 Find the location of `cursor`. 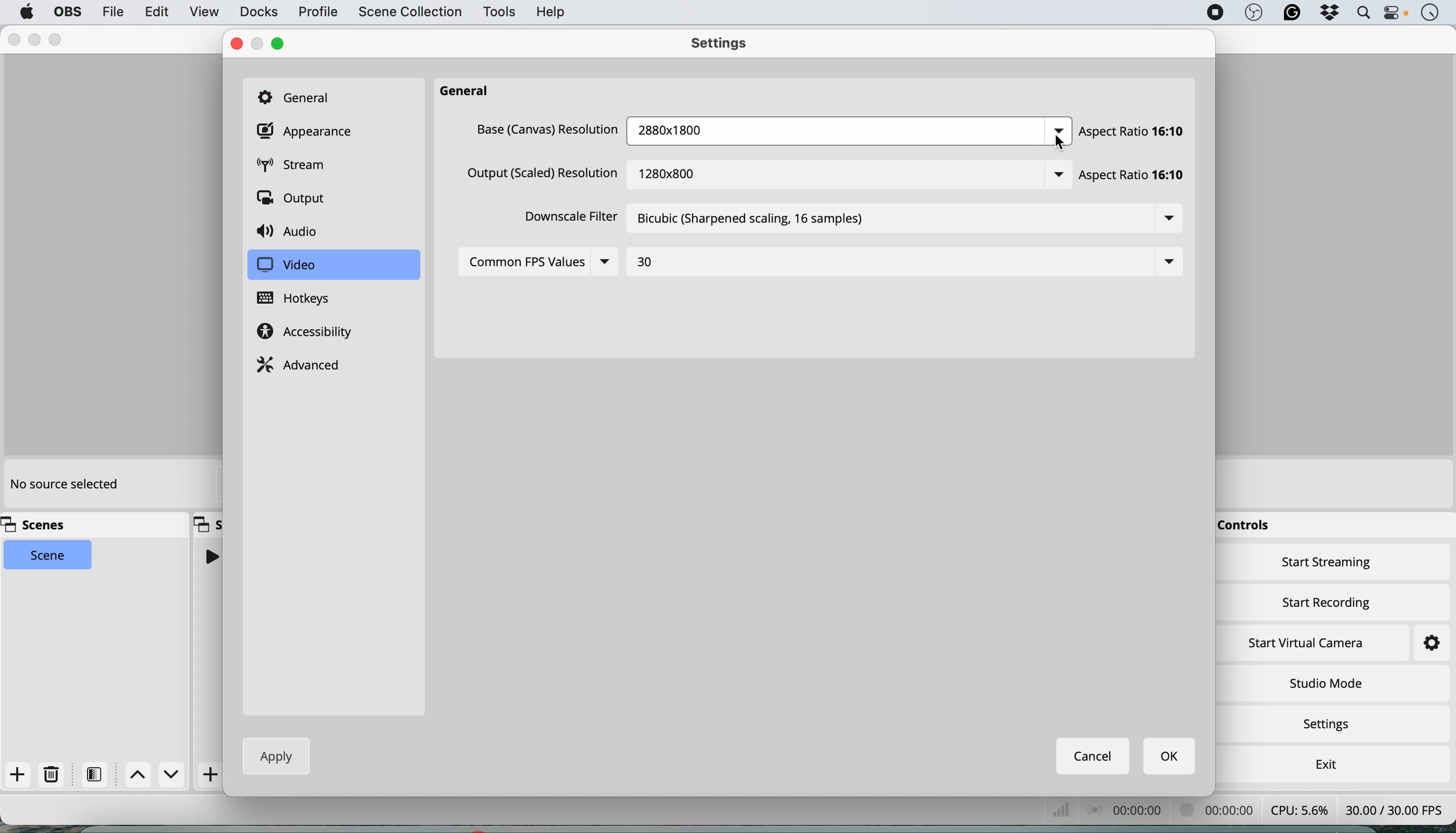

cursor is located at coordinates (1061, 143).